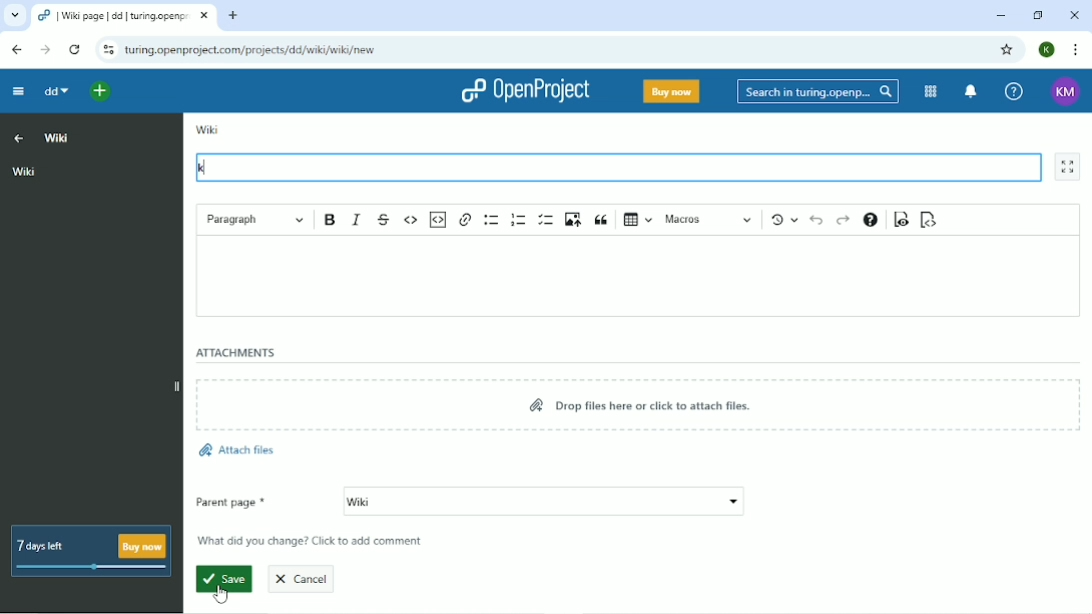 The image size is (1092, 614). Describe the element at coordinates (871, 220) in the screenshot. I see `Text formatting help` at that location.